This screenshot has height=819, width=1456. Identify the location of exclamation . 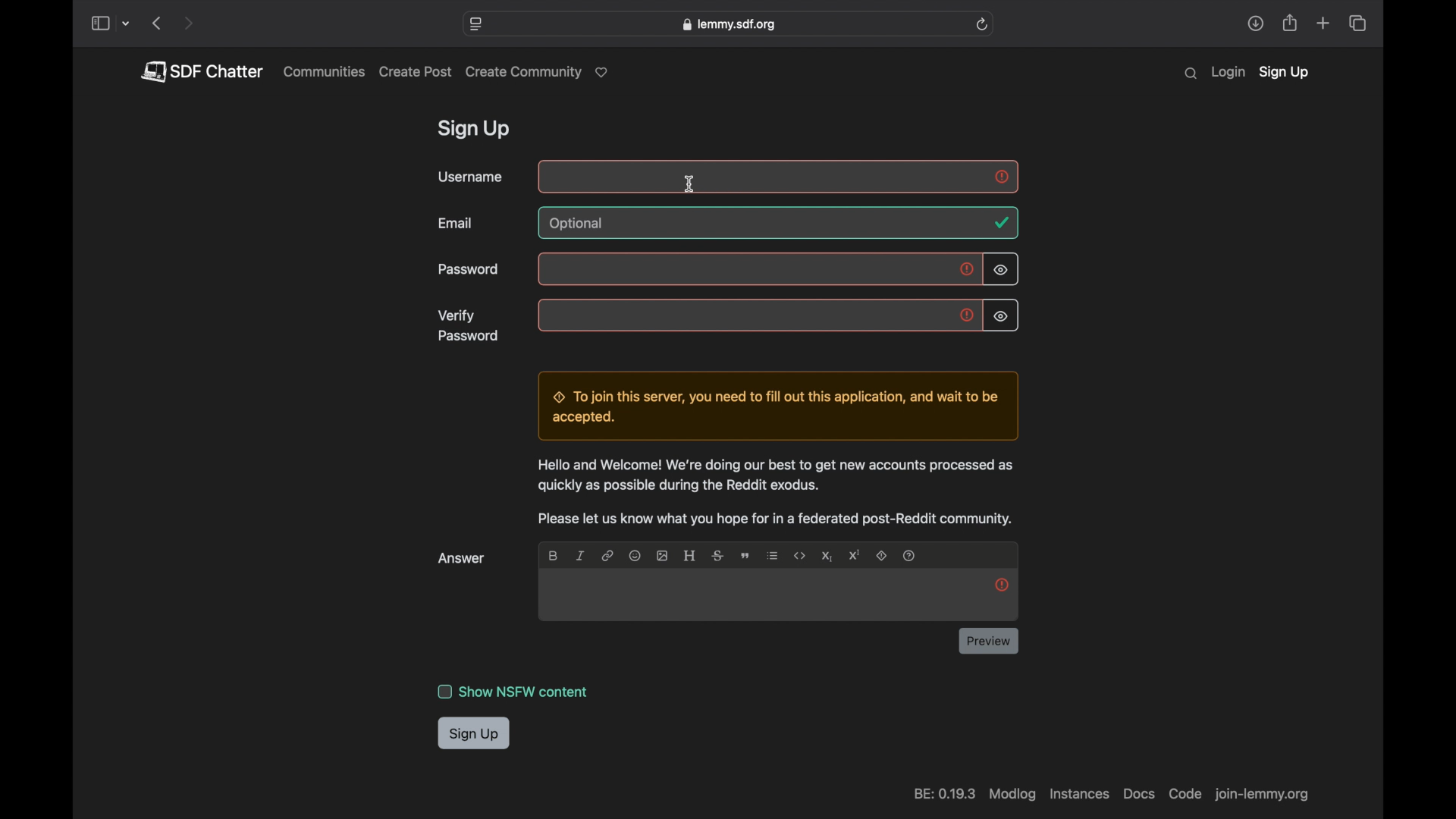
(1002, 584).